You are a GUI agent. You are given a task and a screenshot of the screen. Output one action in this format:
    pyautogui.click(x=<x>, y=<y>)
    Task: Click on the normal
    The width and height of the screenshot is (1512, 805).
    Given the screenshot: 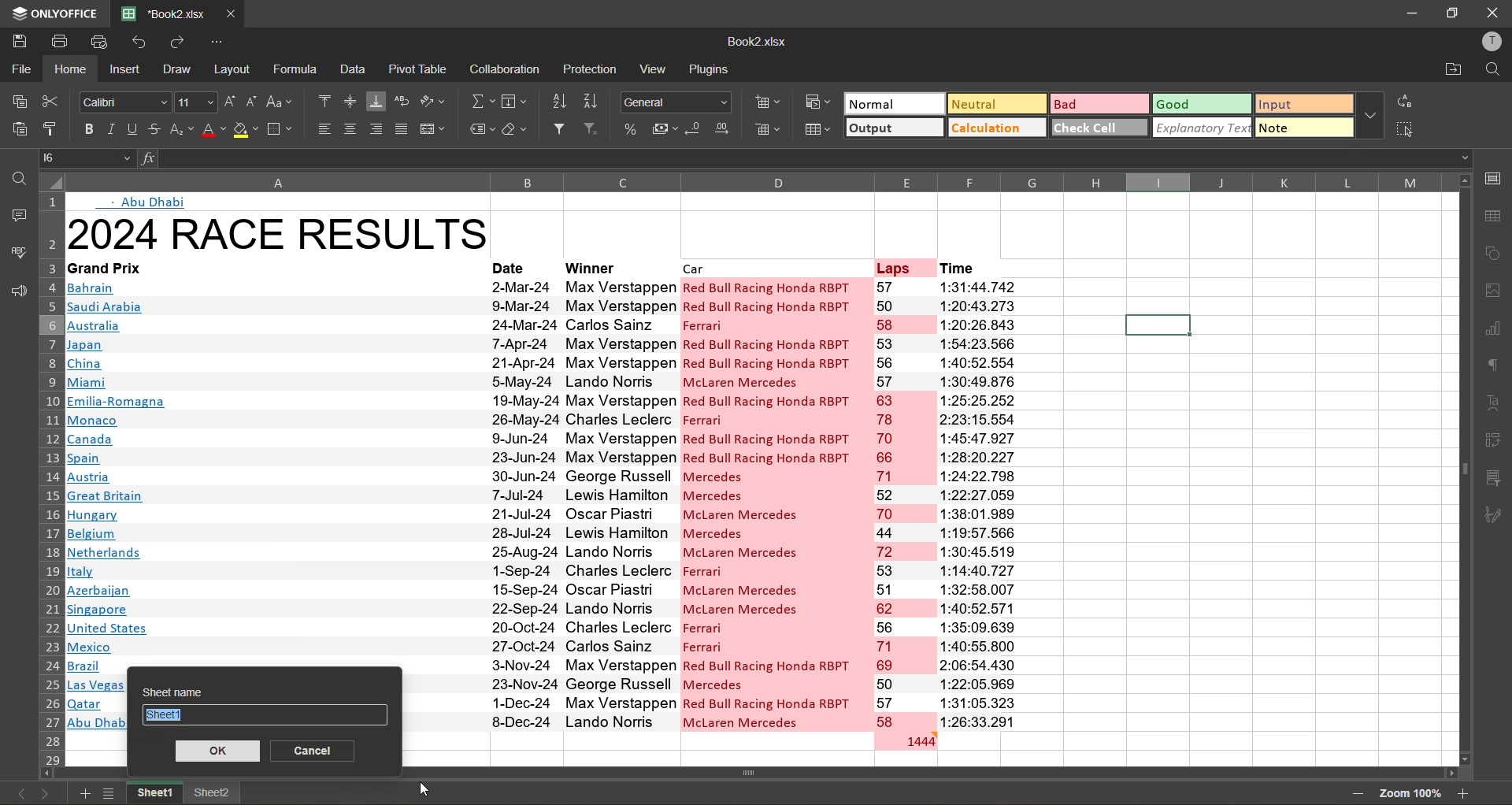 What is the action you would take?
    pyautogui.click(x=892, y=105)
    